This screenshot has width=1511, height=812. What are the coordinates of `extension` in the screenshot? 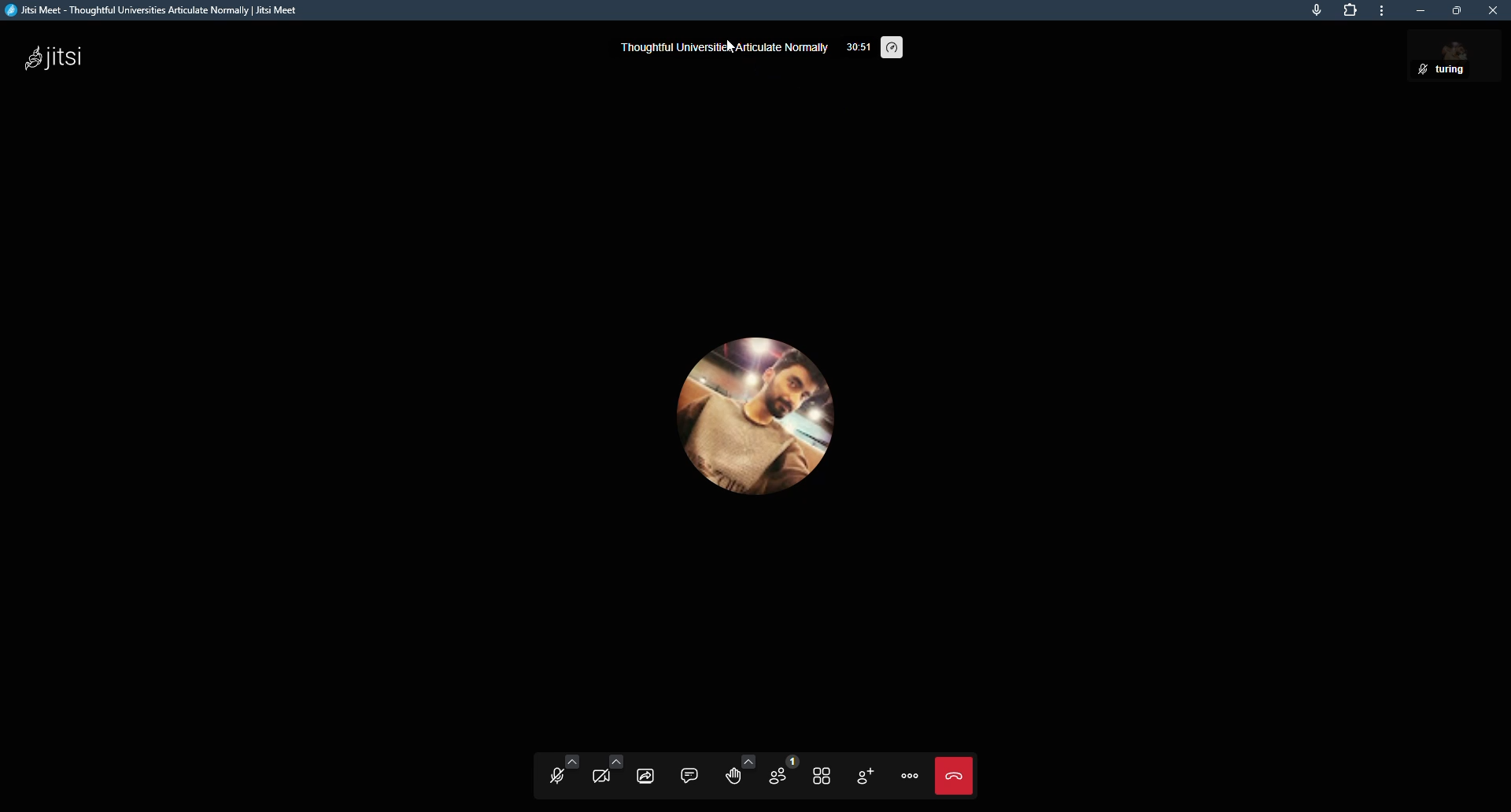 It's located at (1350, 9).